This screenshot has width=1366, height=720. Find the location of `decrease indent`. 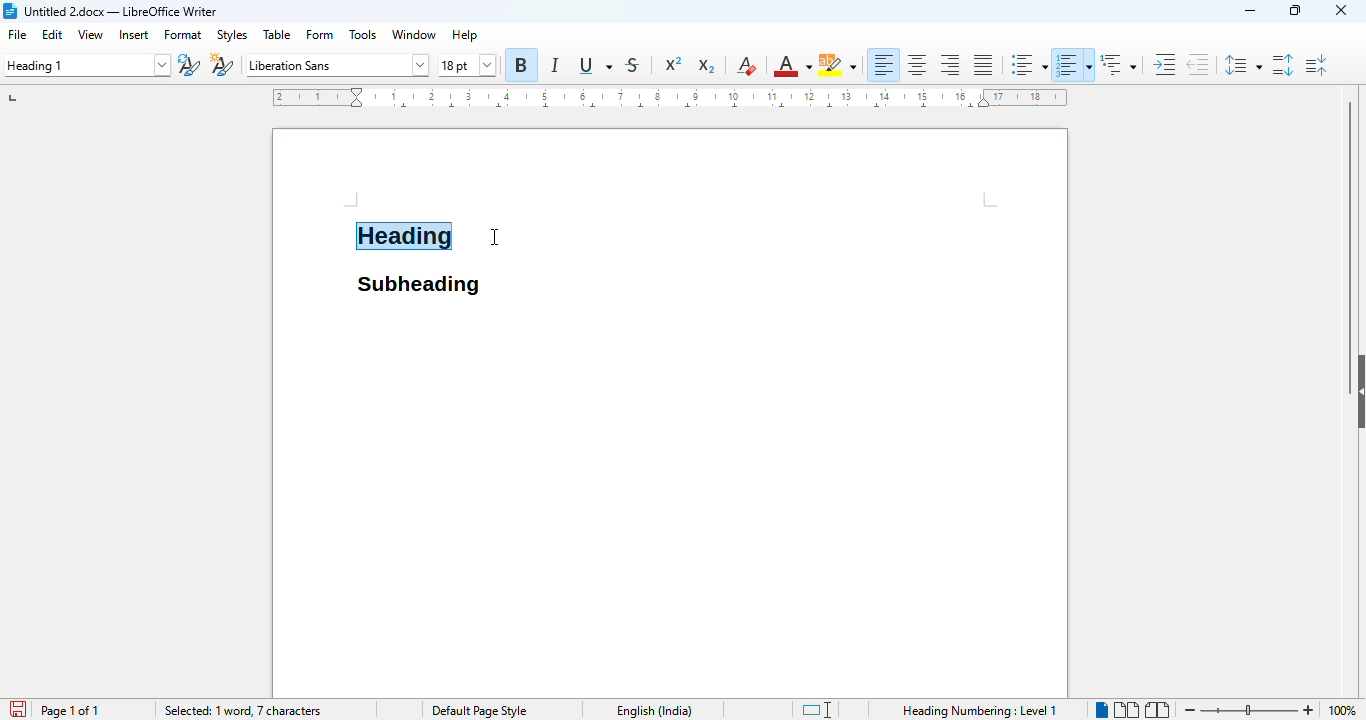

decrease indent is located at coordinates (1197, 64).